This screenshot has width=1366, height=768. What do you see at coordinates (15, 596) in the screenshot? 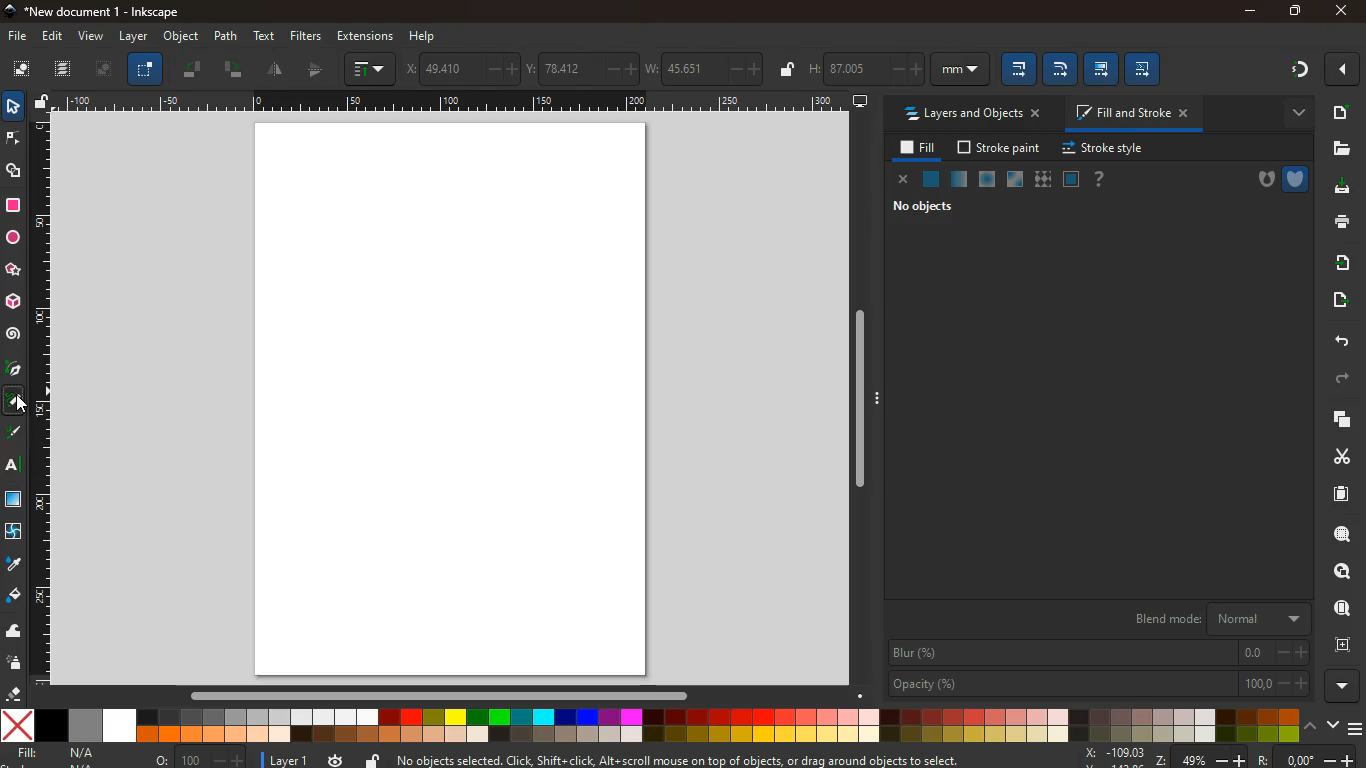
I see `paint` at bounding box center [15, 596].